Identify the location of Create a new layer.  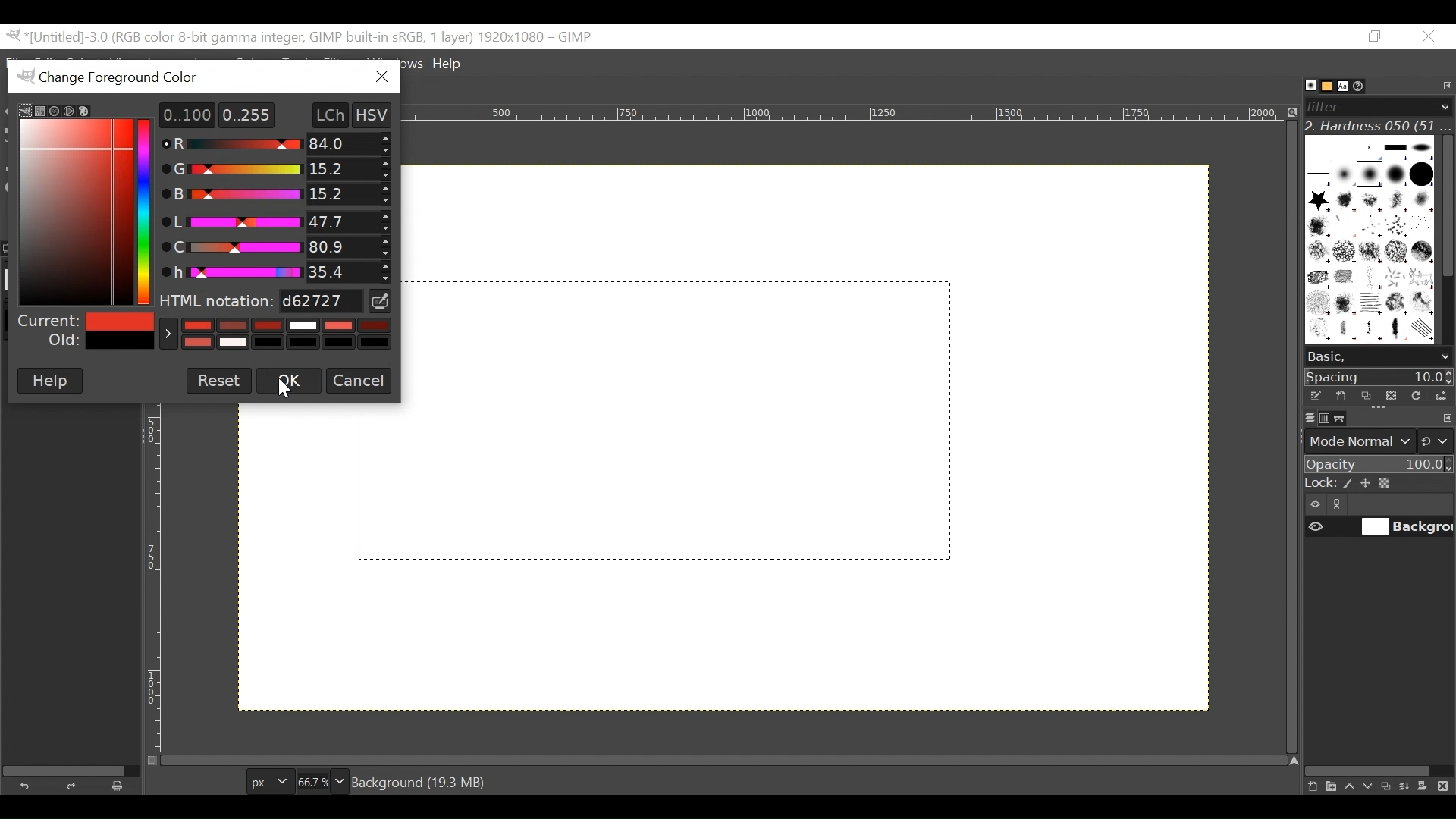
(1330, 786).